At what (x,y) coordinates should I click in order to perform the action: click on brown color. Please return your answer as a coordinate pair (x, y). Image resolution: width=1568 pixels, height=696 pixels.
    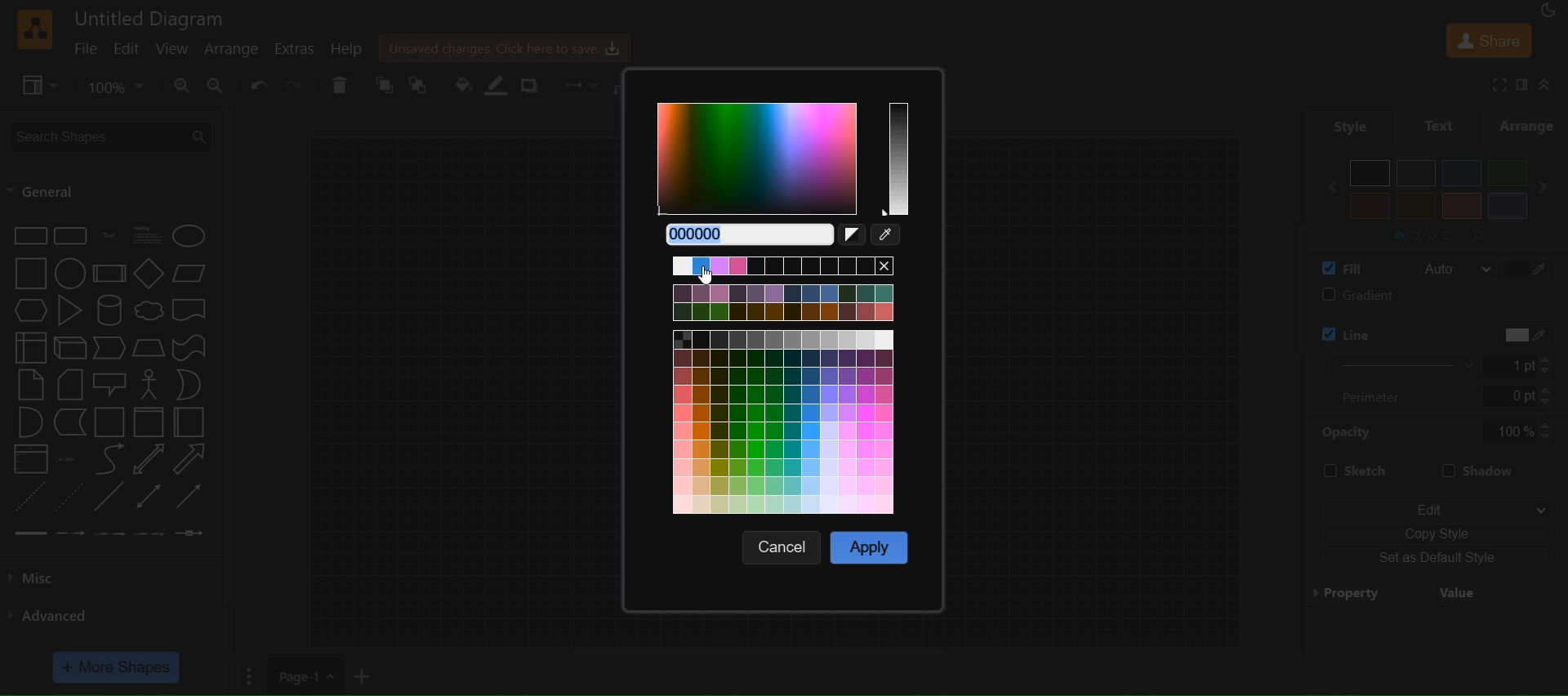
    Looking at the image, I should click on (1461, 206).